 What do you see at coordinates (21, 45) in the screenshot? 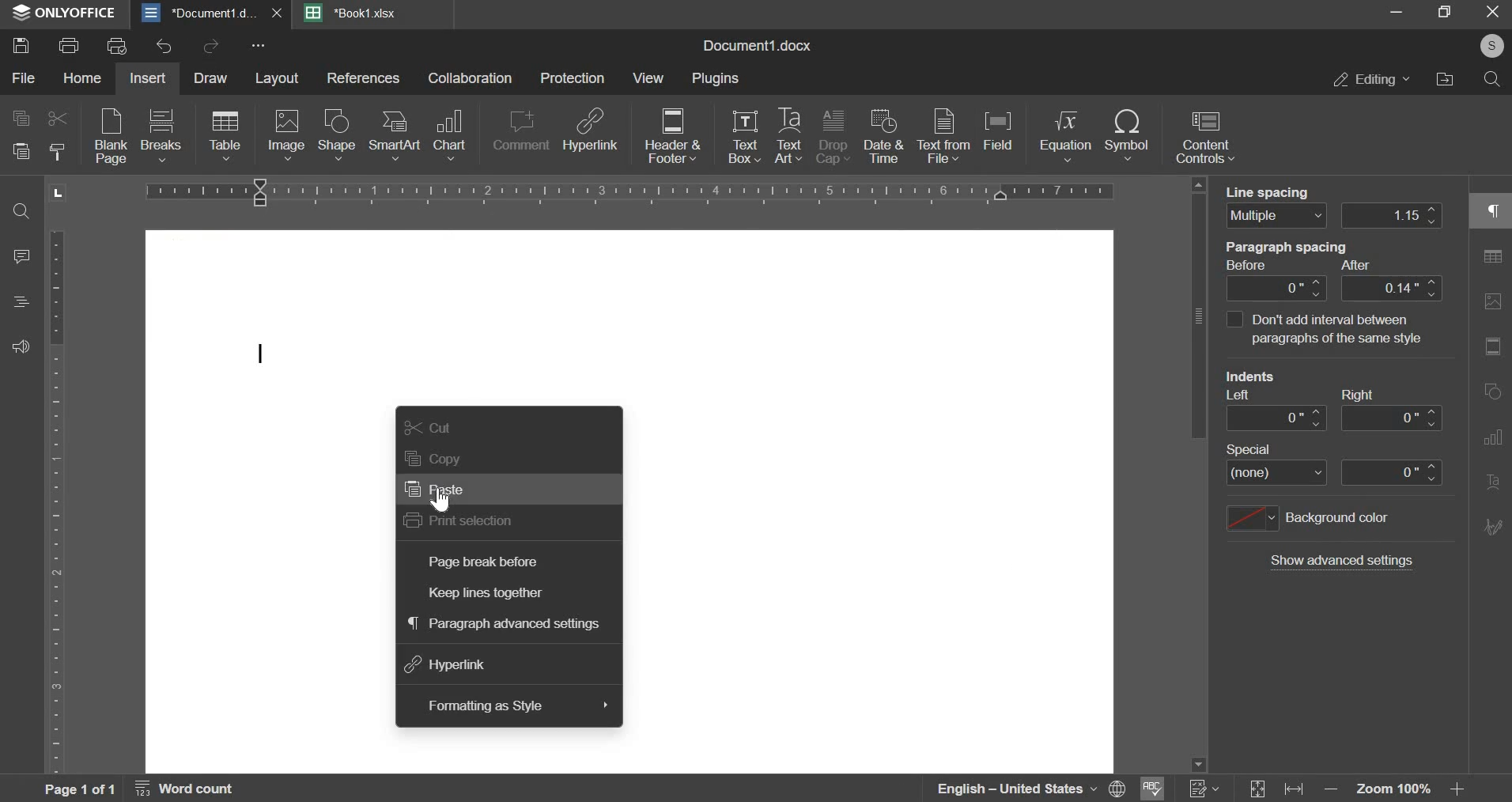
I see `save` at bounding box center [21, 45].